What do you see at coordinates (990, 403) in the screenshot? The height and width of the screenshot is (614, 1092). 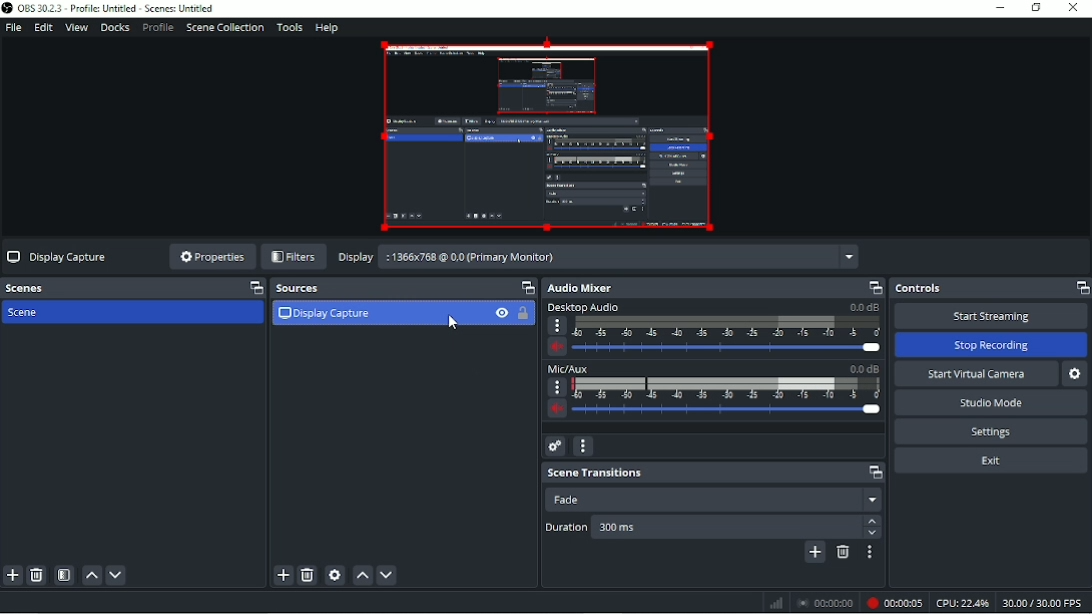 I see `Studio mode` at bounding box center [990, 403].